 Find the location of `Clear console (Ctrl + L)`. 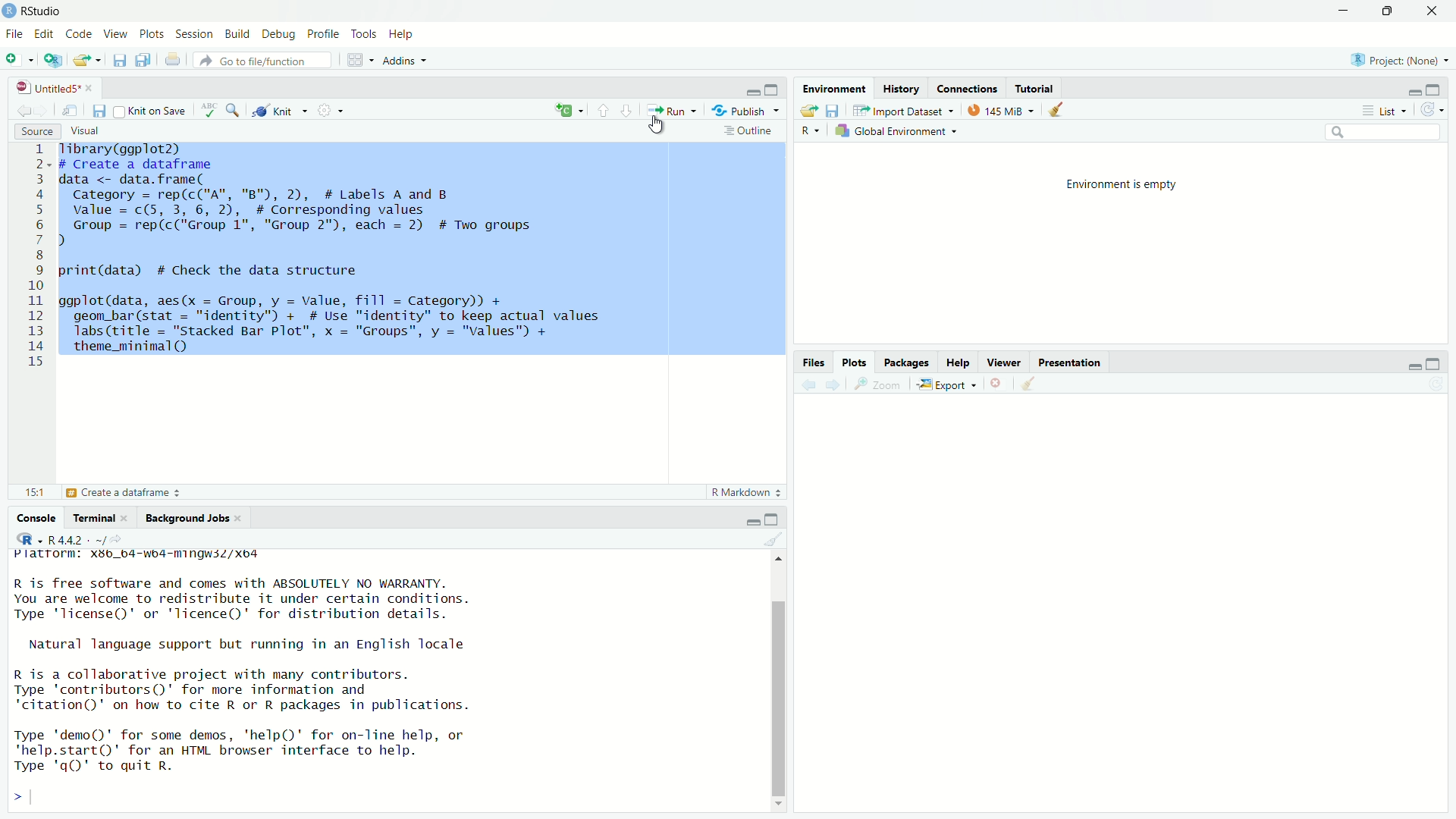

Clear console (Ctrl + L) is located at coordinates (1057, 108).